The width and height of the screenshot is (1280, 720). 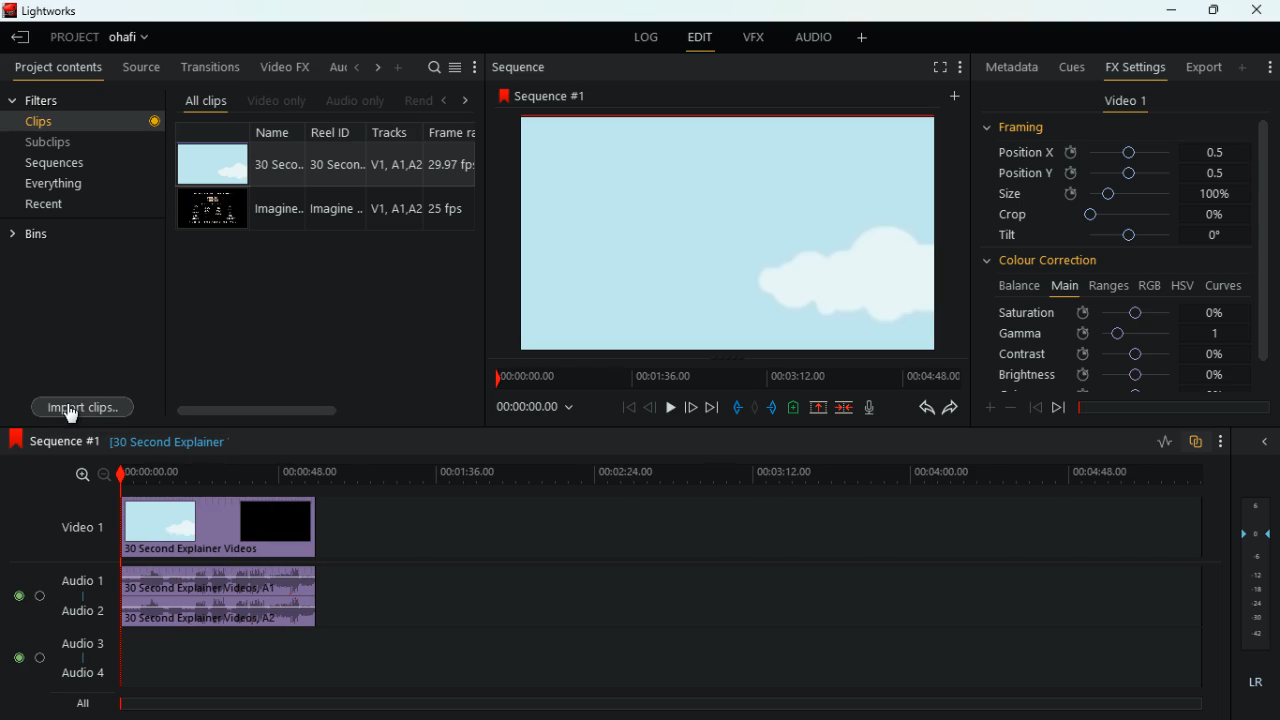 What do you see at coordinates (66, 206) in the screenshot?
I see `recent` at bounding box center [66, 206].